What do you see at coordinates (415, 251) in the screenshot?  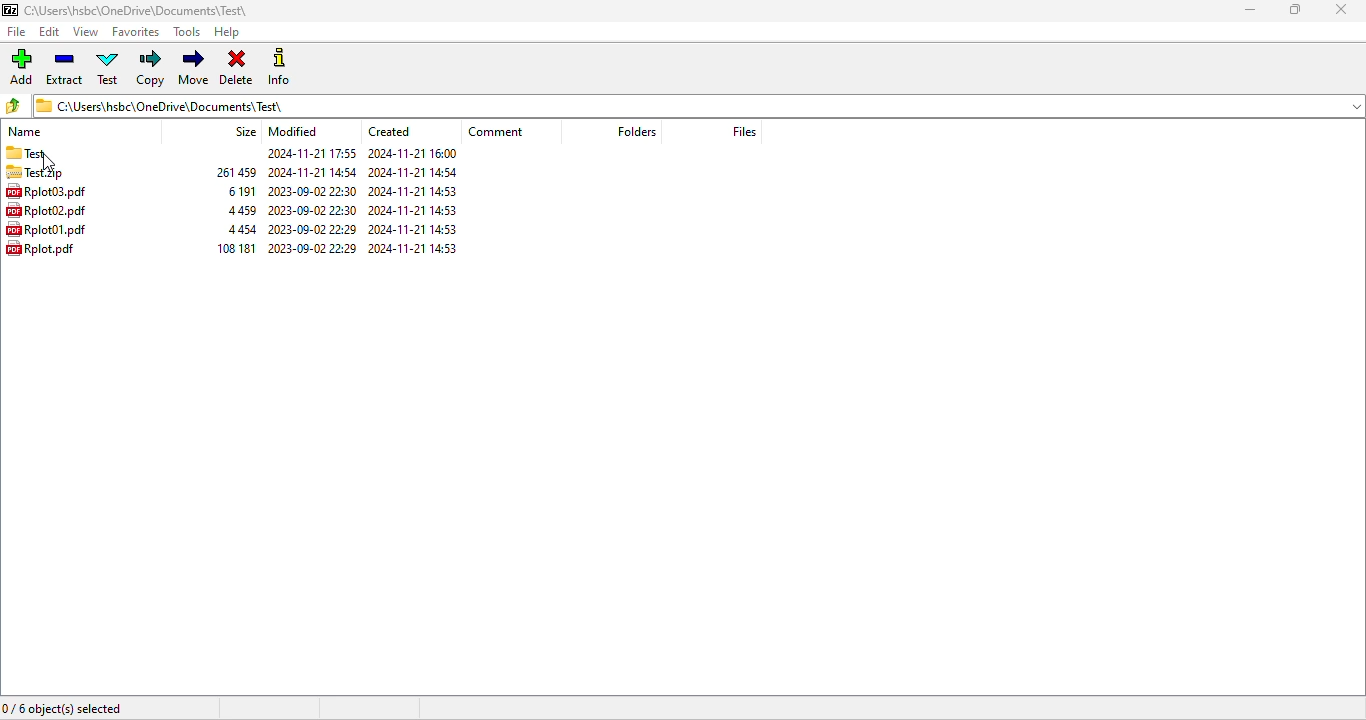 I see `2024-11-21 14:33` at bounding box center [415, 251].